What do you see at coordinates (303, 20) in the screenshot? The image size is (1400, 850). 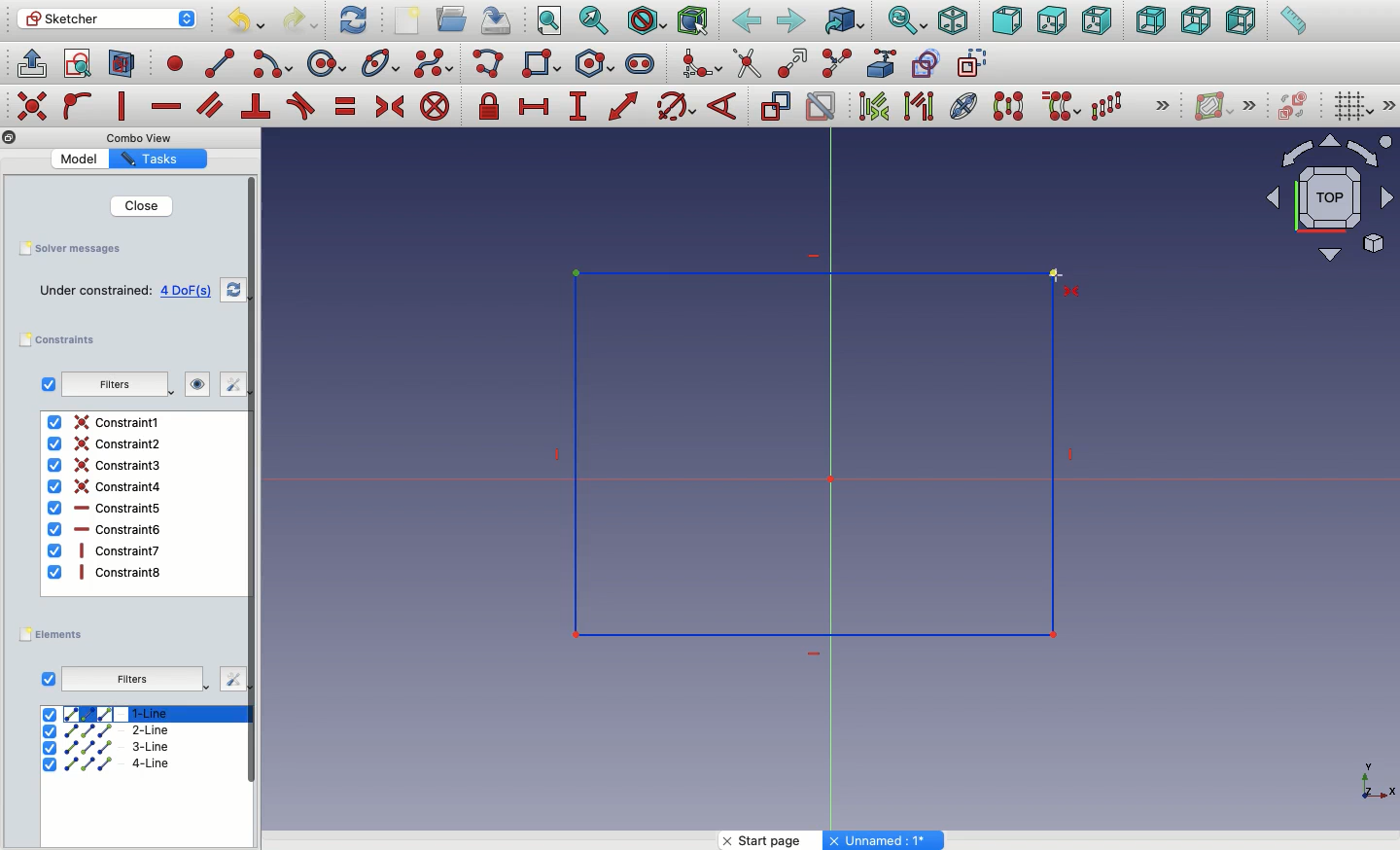 I see `Redo` at bounding box center [303, 20].